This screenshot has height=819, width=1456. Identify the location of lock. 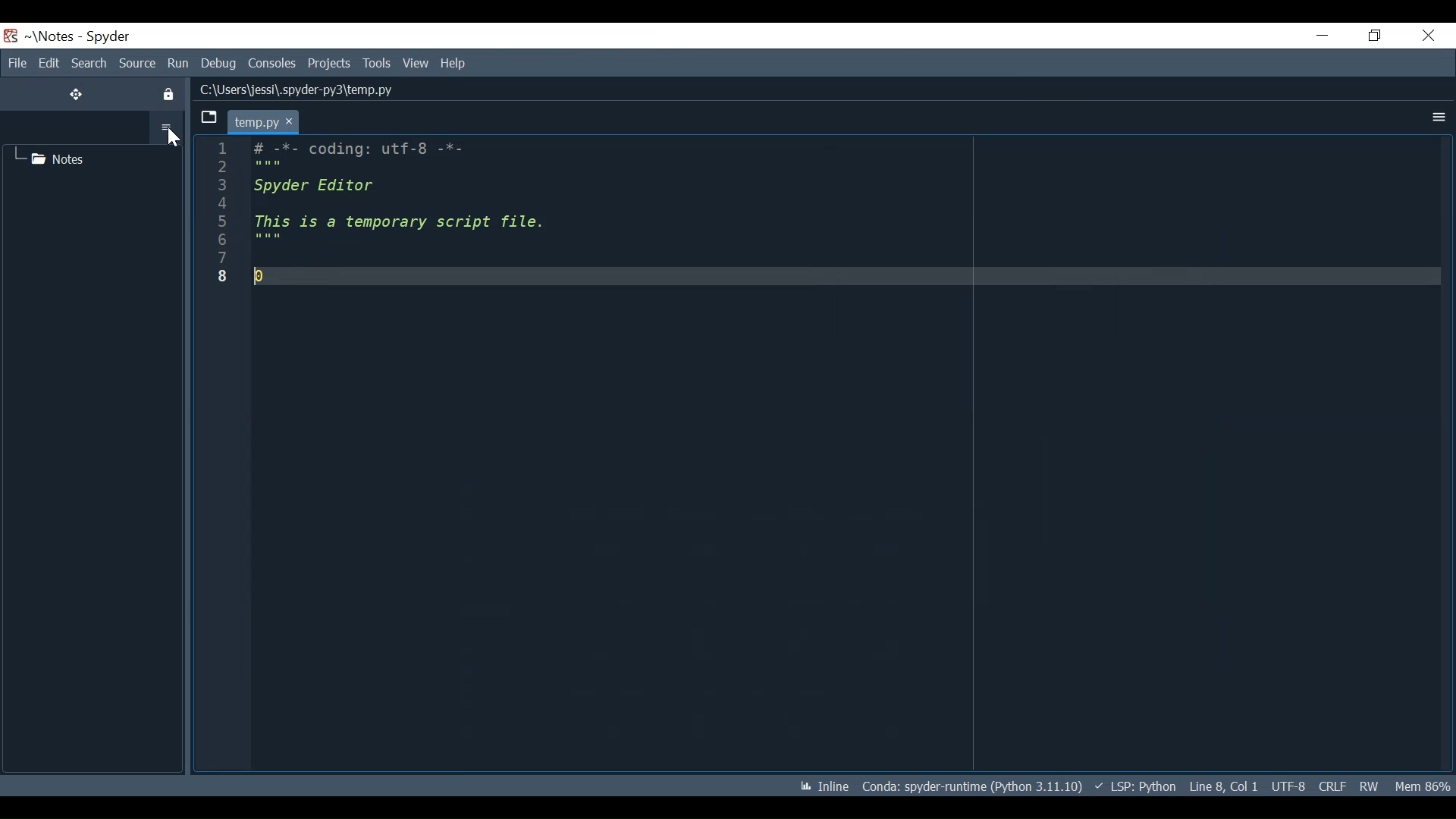
(170, 95).